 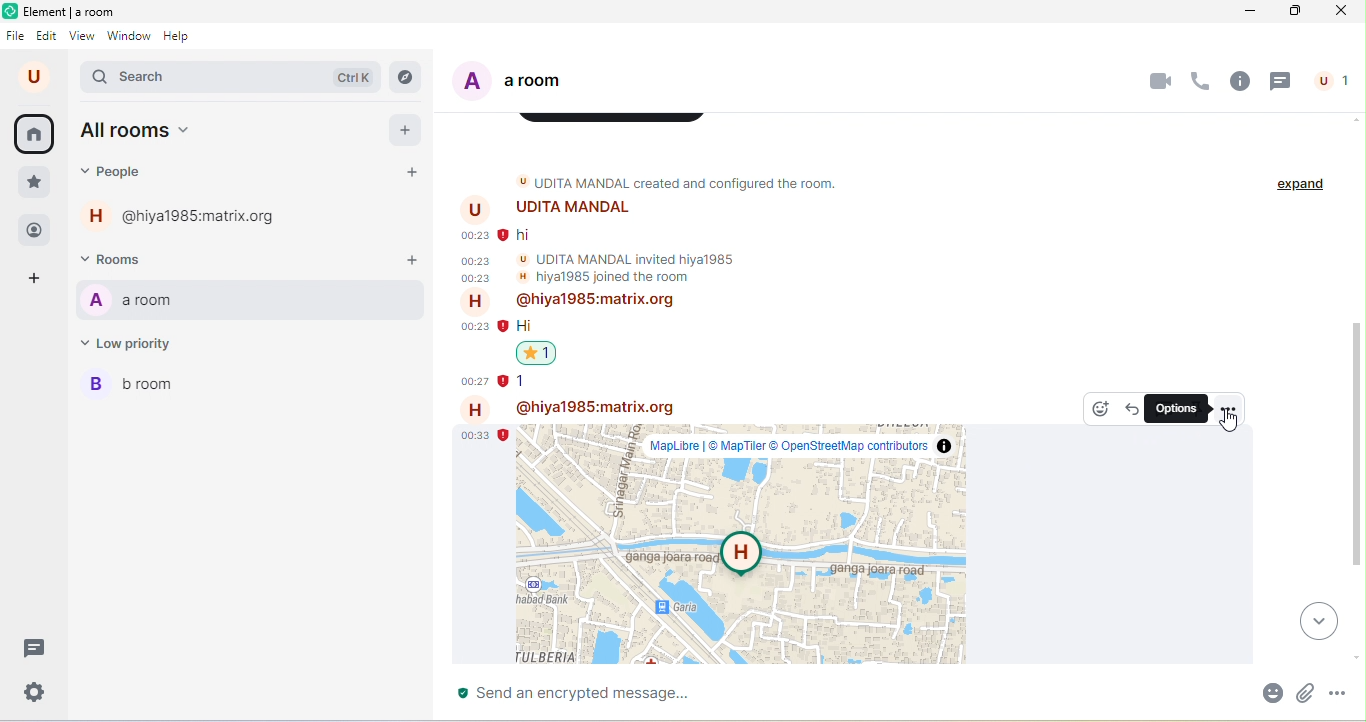 What do you see at coordinates (1329, 81) in the screenshot?
I see `people` at bounding box center [1329, 81].